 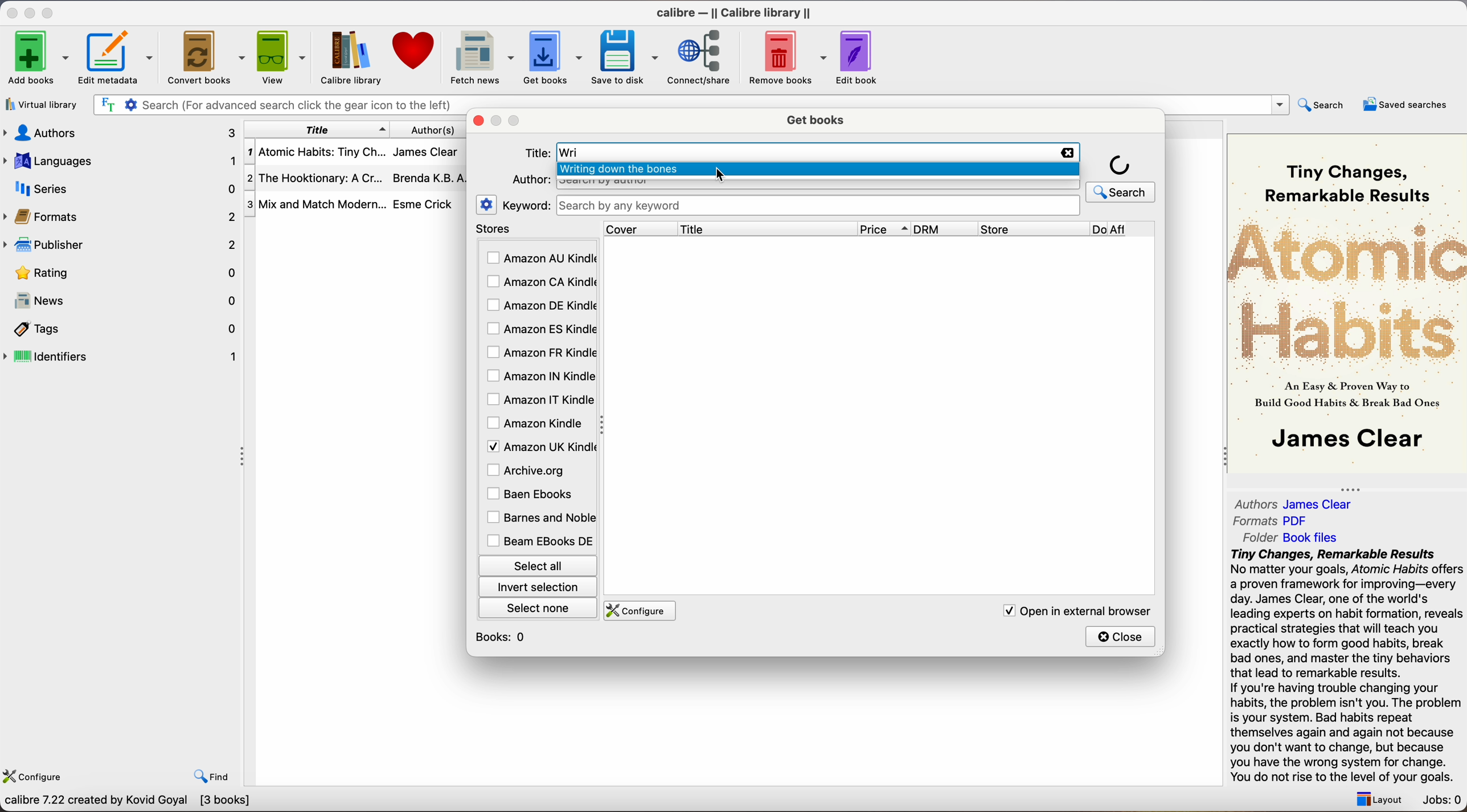 What do you see at coordinates (315, 153) in the screenshot?
I see `Atomic Habits: Tiny Ch...` at bounding box center [315, 153].